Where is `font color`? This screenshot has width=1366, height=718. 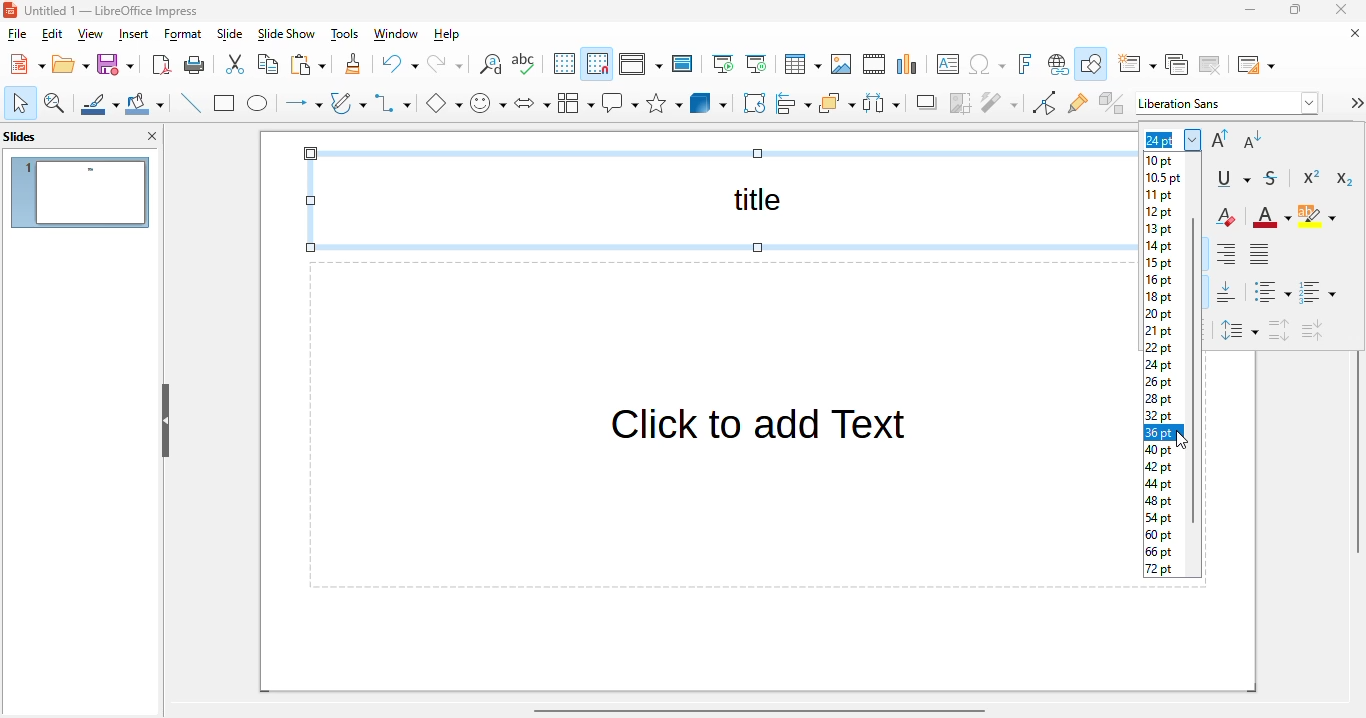
font color is located at coordinates (1273, 217).